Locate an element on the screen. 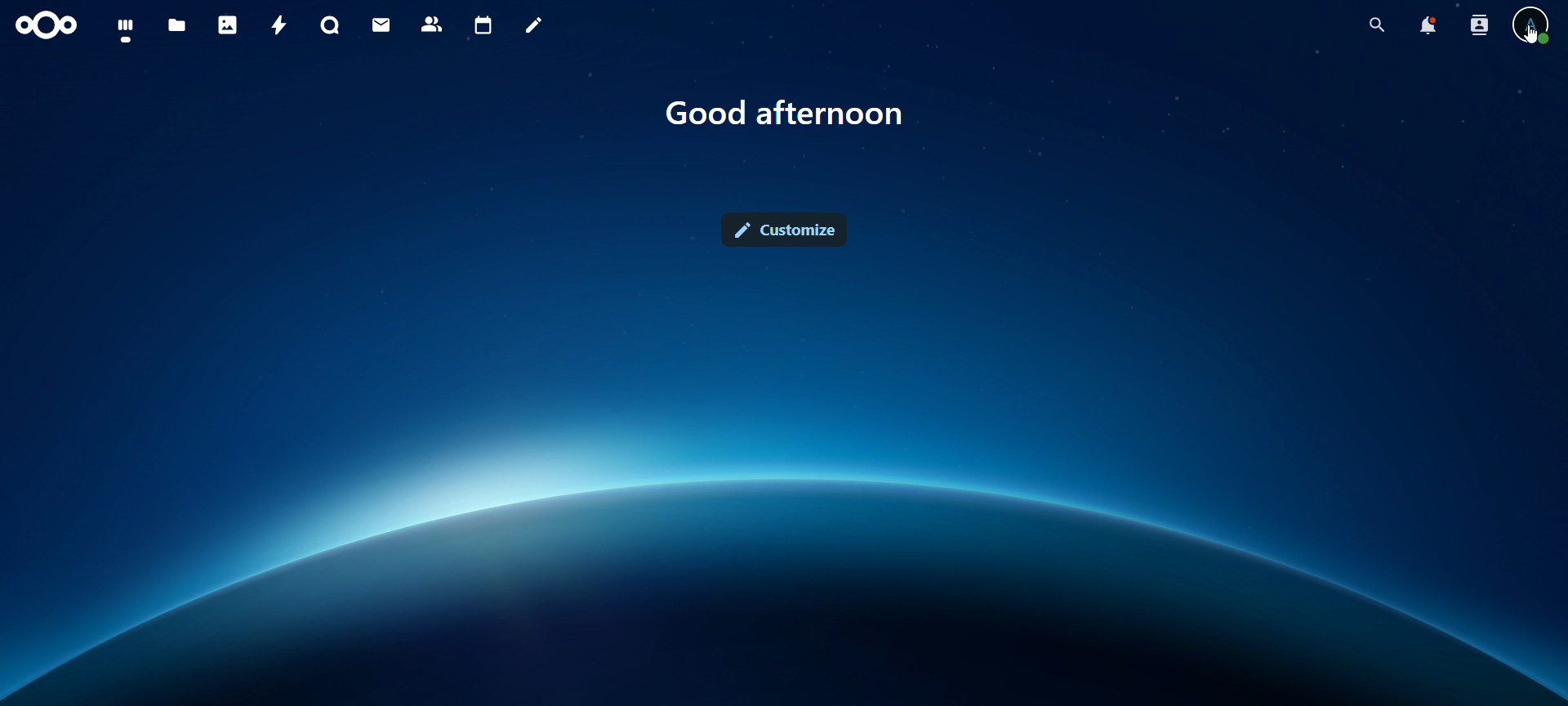 Image resolution: width=1568 pixels, height=706 pixels. Cursor is located at coordinates (1530, 38).